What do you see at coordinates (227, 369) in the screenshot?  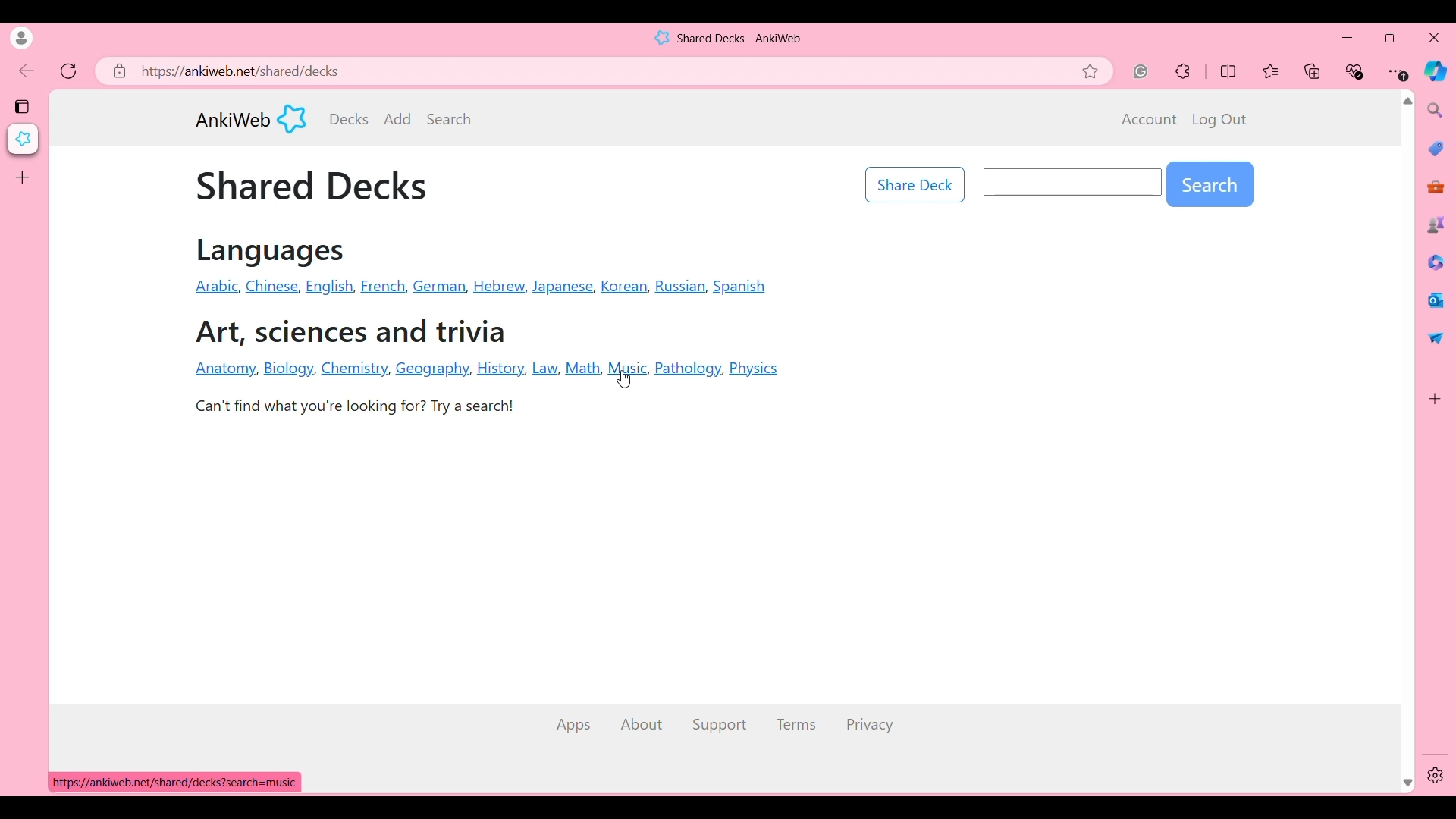 I see `Anatomy,` at bounding box center [227, 369].